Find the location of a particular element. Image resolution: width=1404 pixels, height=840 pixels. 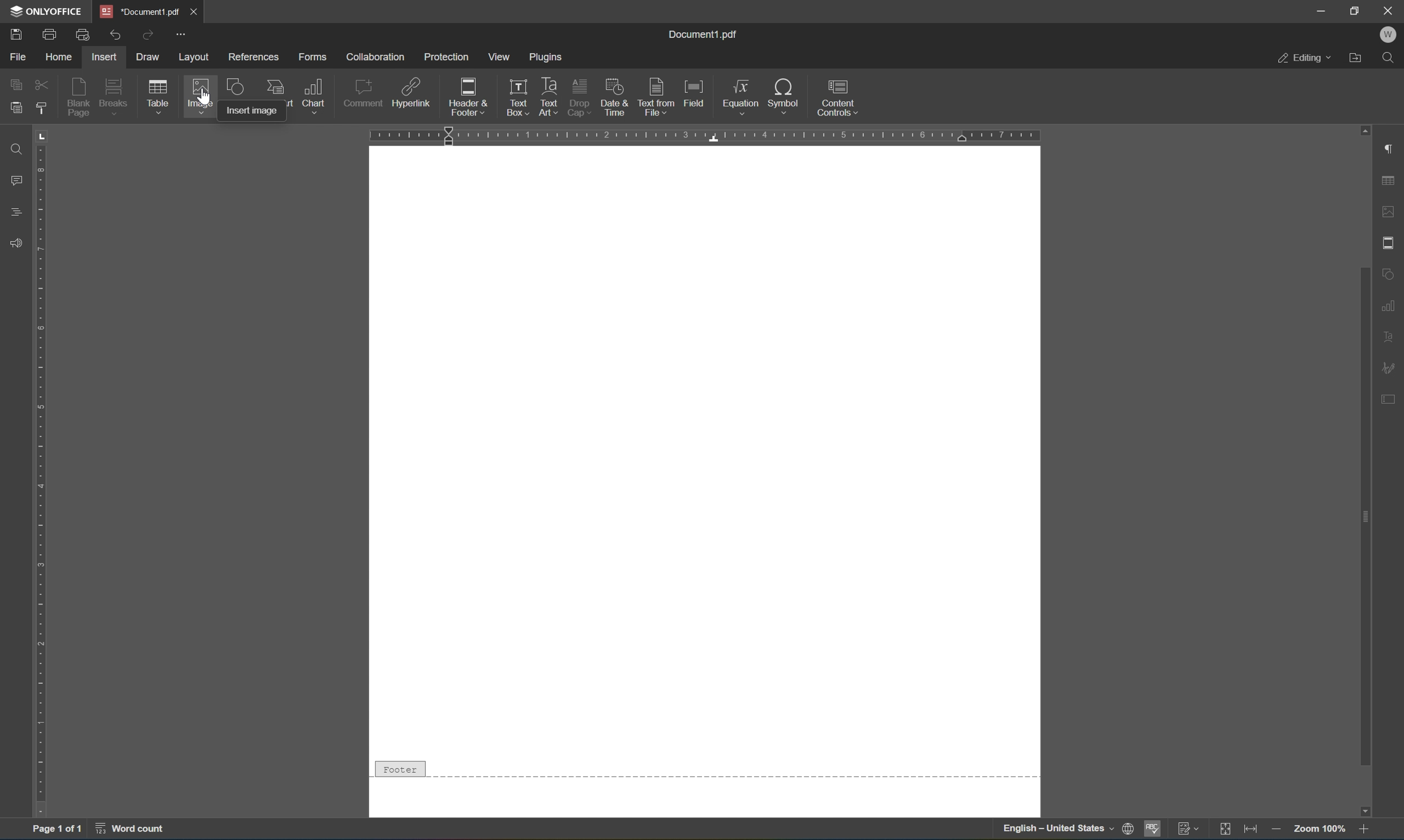

chart is located at coordinates (315, 95).